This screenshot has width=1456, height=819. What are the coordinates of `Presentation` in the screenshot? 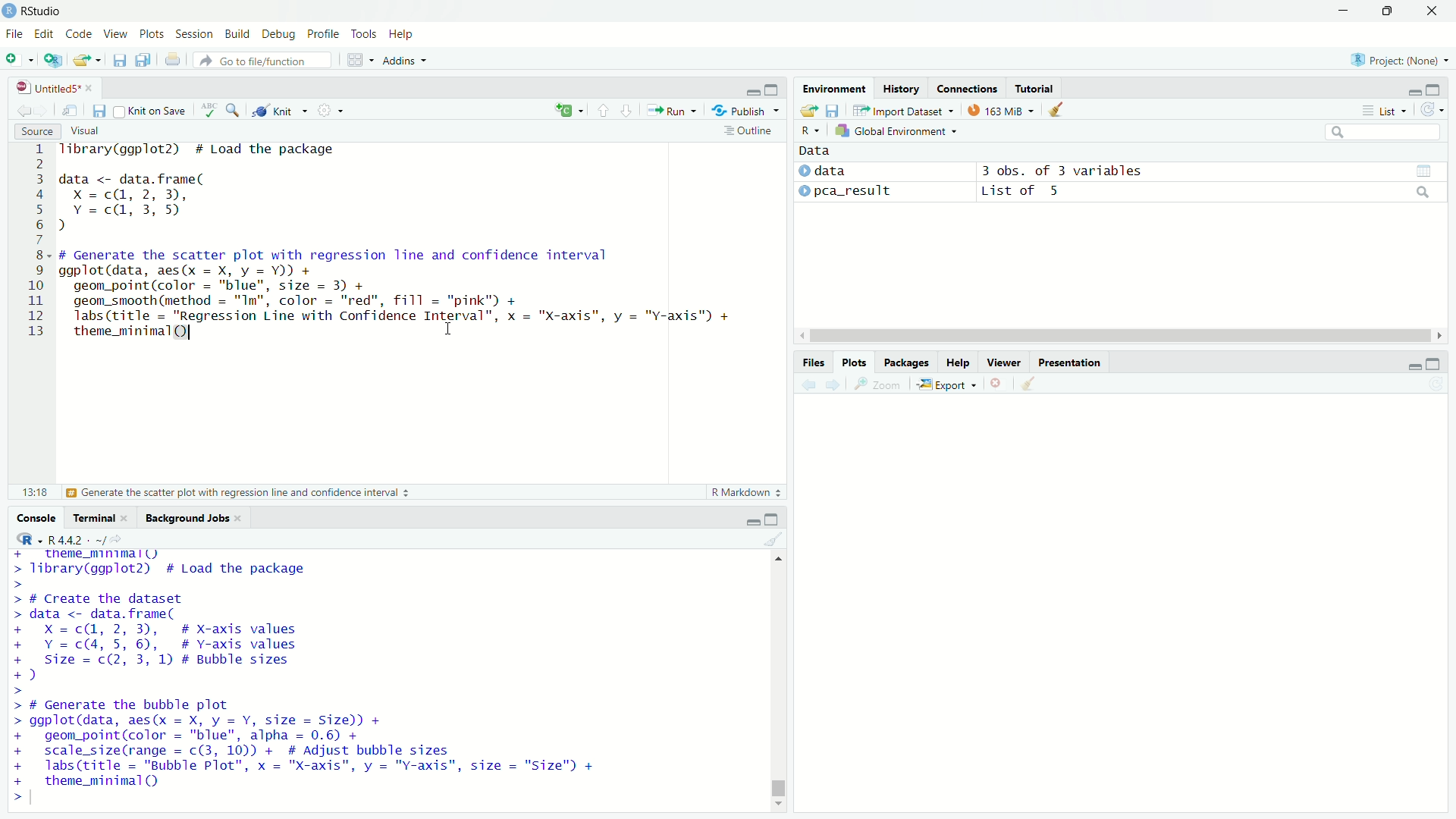 It's located at (1069, 362).